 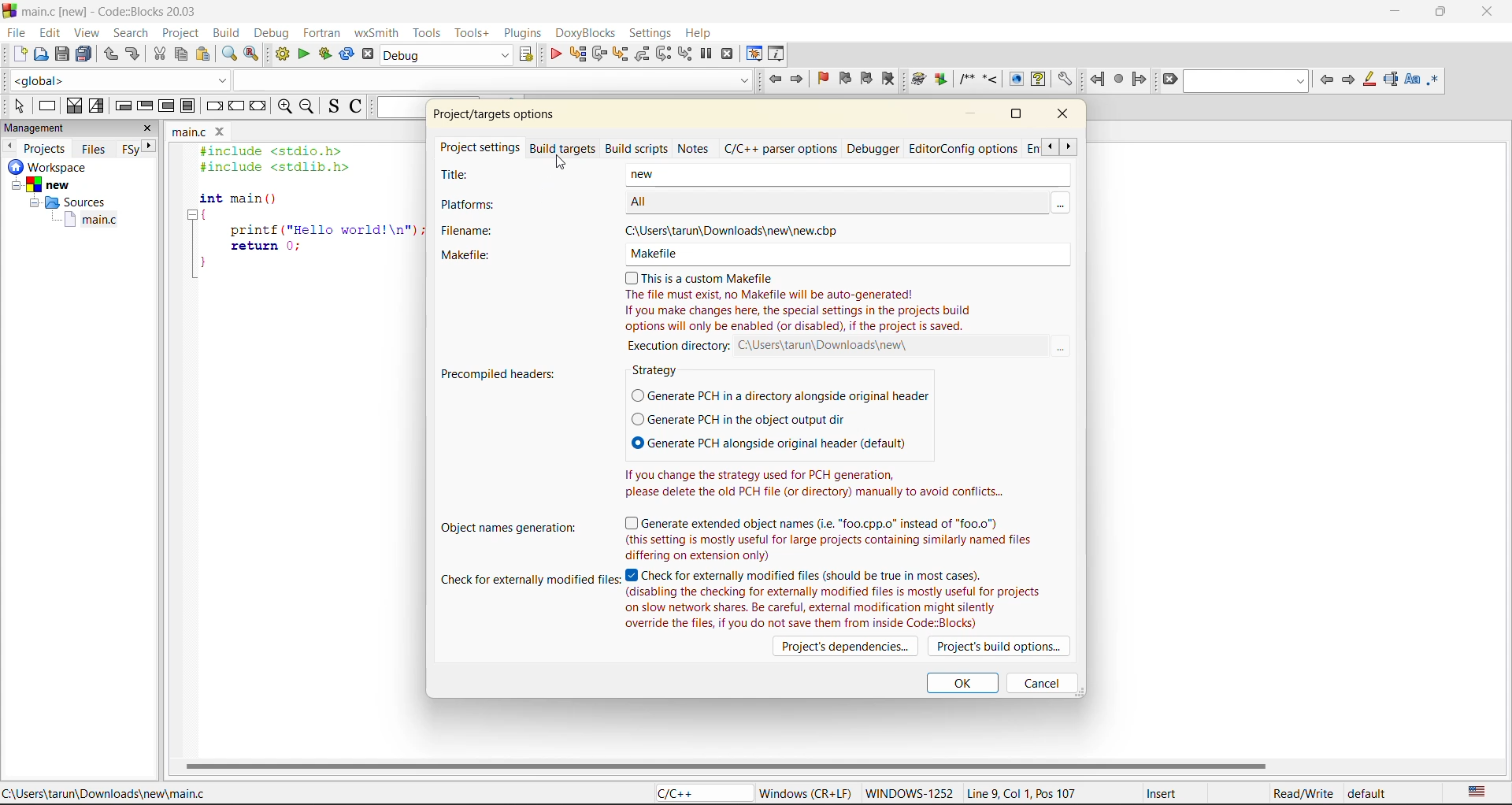 What do you see at coordinates (9, 11) in the screenshot?
I see `code blocks logo` at bounding box center [9, 11].